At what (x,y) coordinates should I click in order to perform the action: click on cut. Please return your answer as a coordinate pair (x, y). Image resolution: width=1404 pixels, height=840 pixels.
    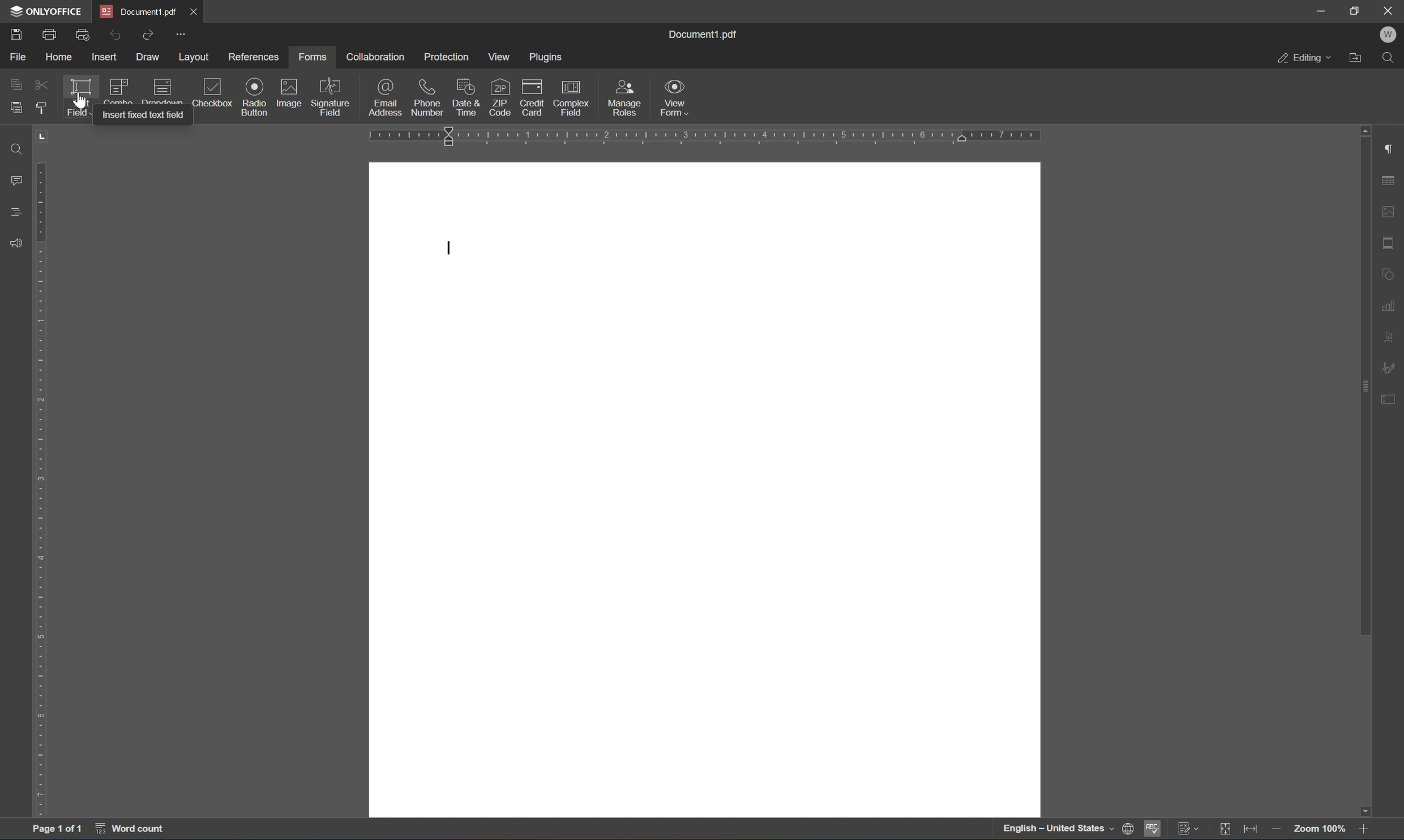
    Looking at the image, I should click on (41, 83).